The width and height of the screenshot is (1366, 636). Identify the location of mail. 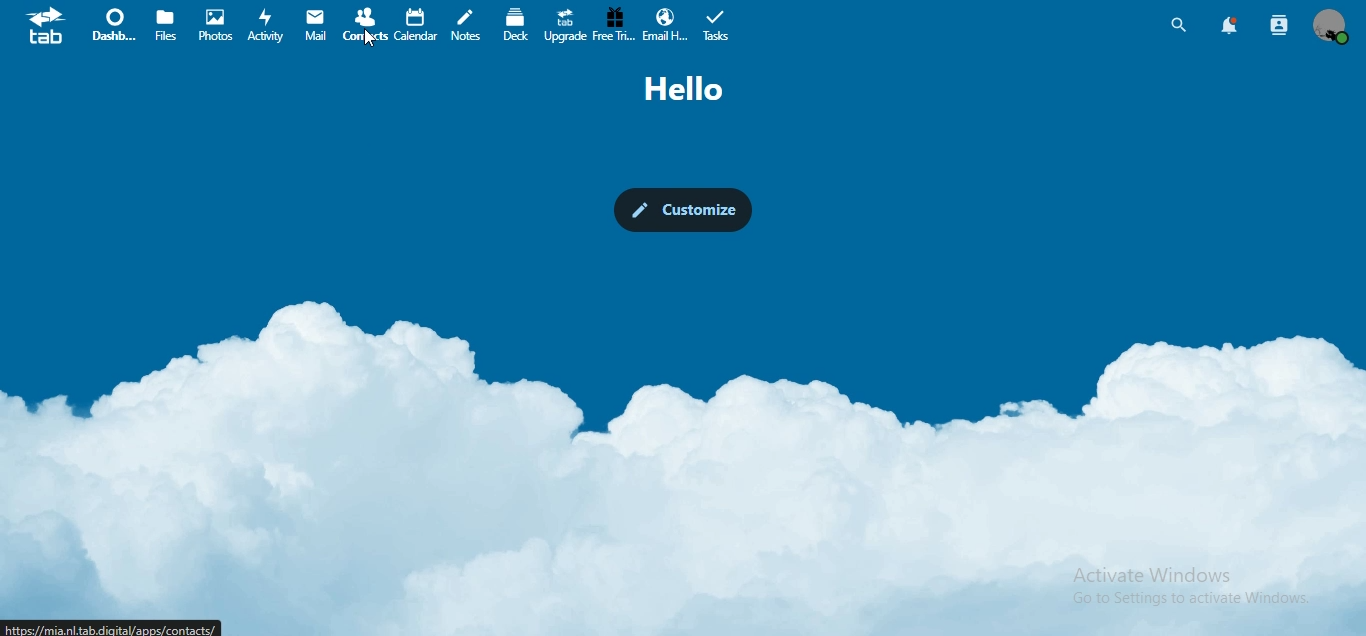
(313, 25).